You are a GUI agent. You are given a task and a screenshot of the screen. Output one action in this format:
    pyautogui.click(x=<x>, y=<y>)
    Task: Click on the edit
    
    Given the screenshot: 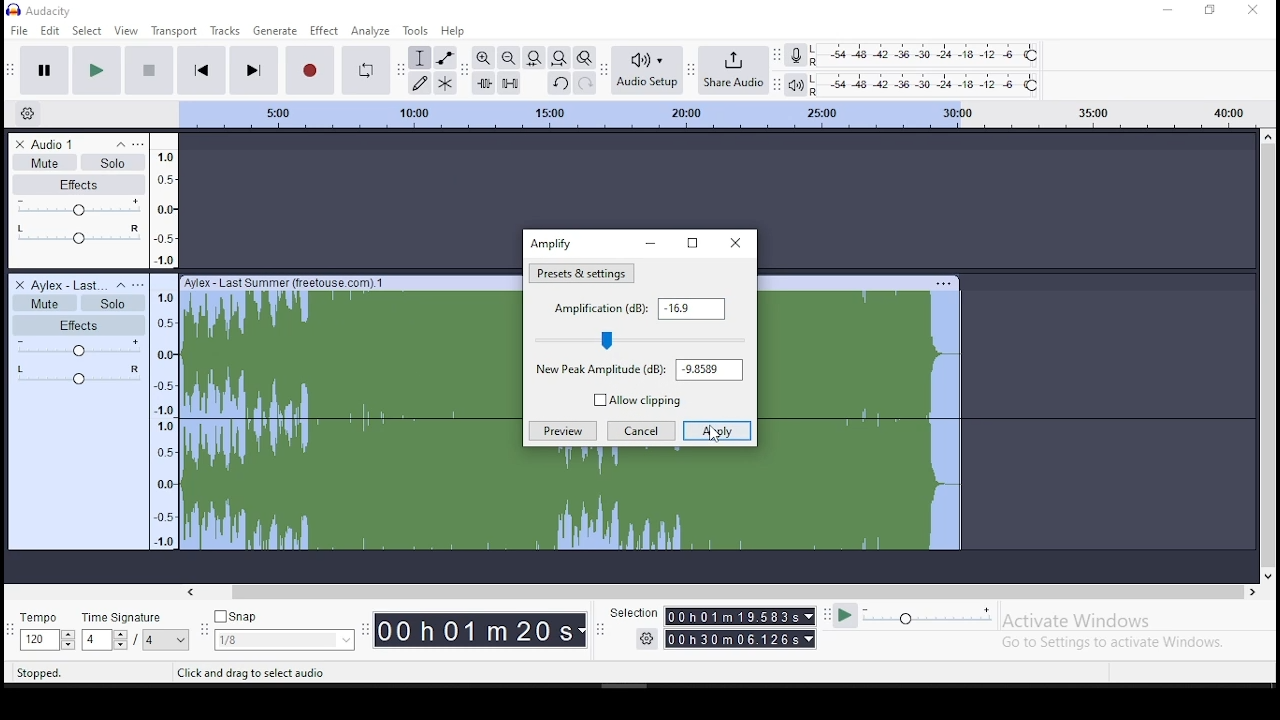 What is the action you would take?
    pyautogui.click(x=50, y=31)
    